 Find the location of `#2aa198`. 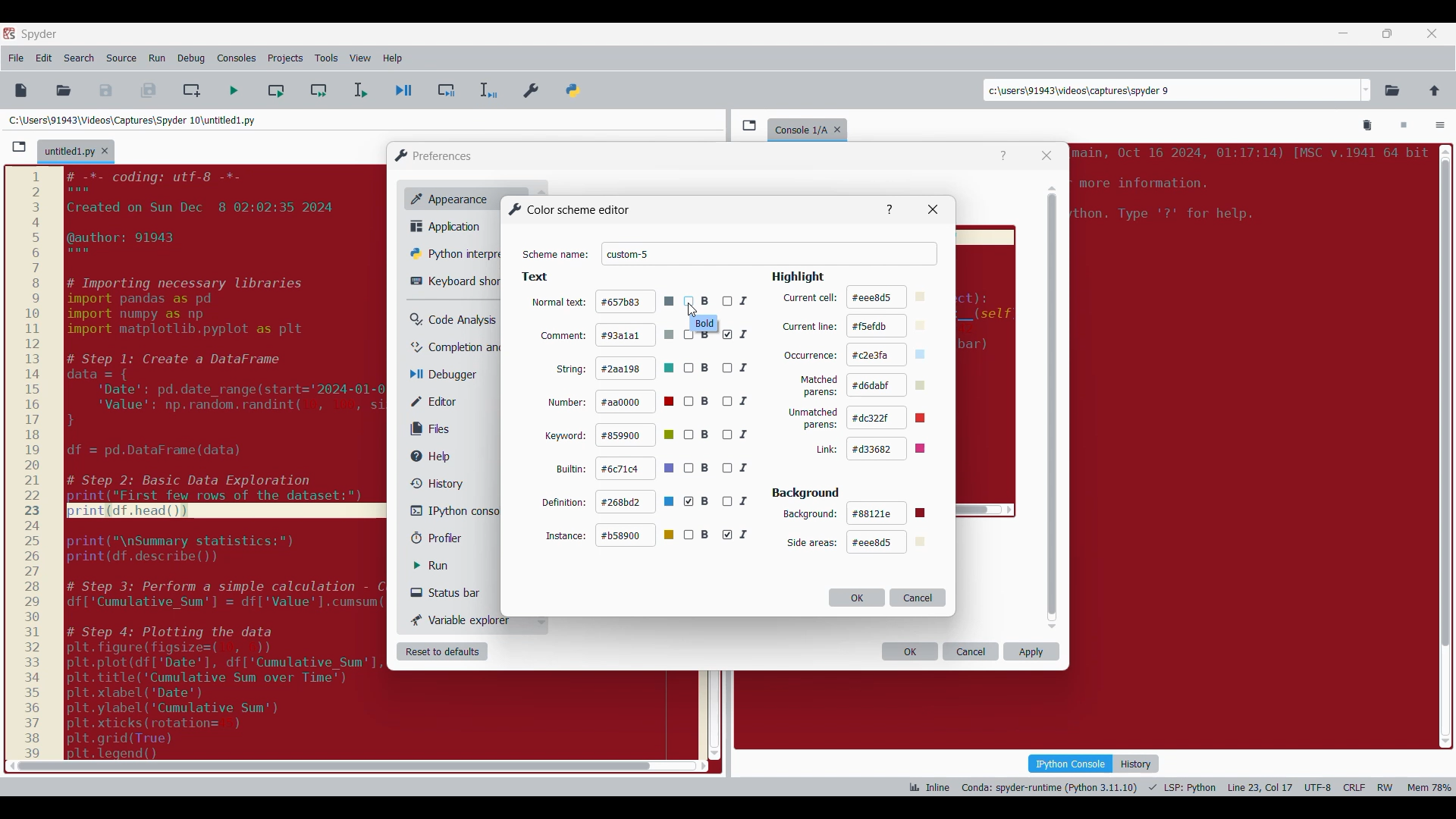

#2aa198 is located at coordinates (636, 368).